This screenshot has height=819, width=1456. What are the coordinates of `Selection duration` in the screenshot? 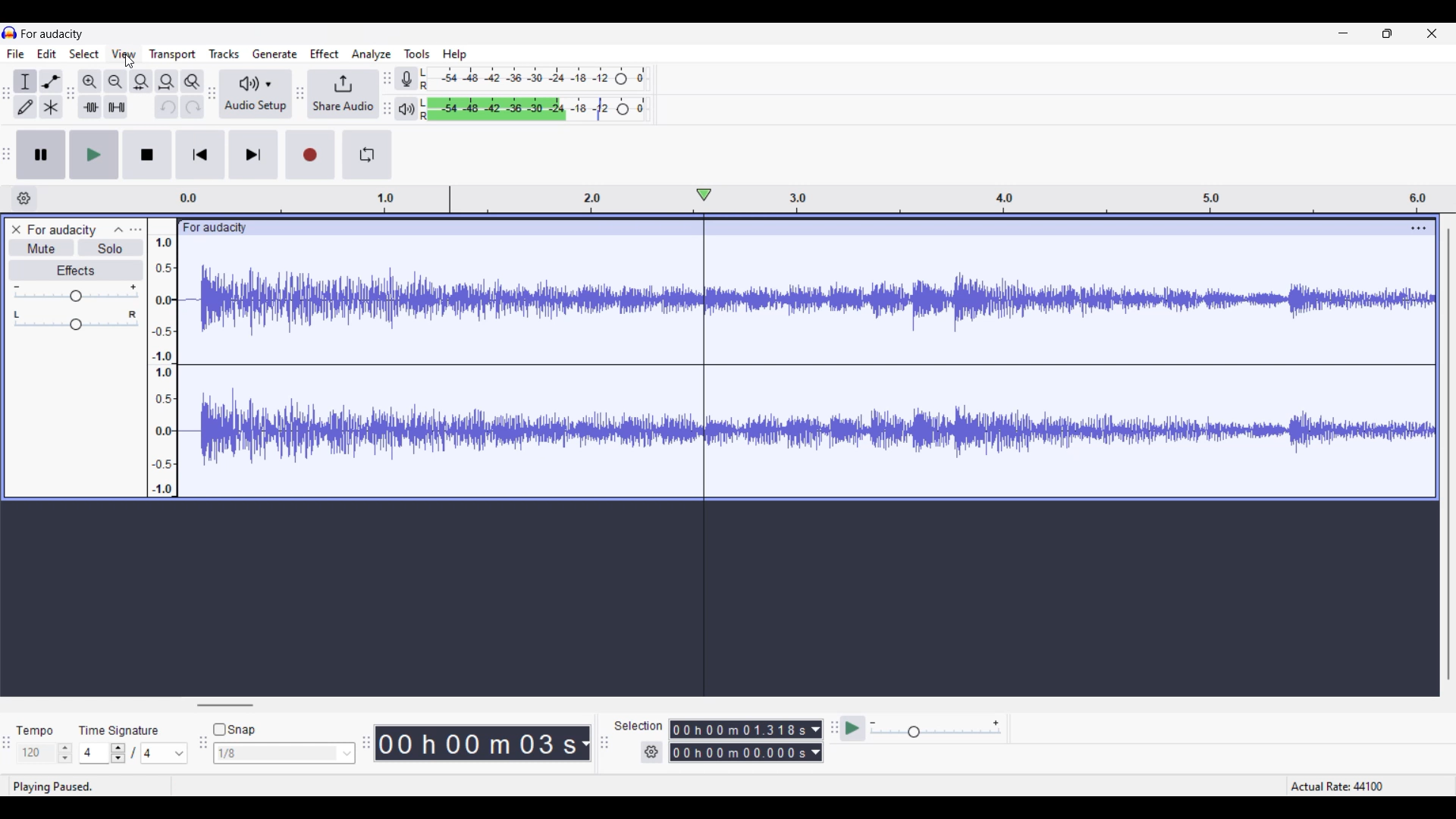 It's located at (739, 741).